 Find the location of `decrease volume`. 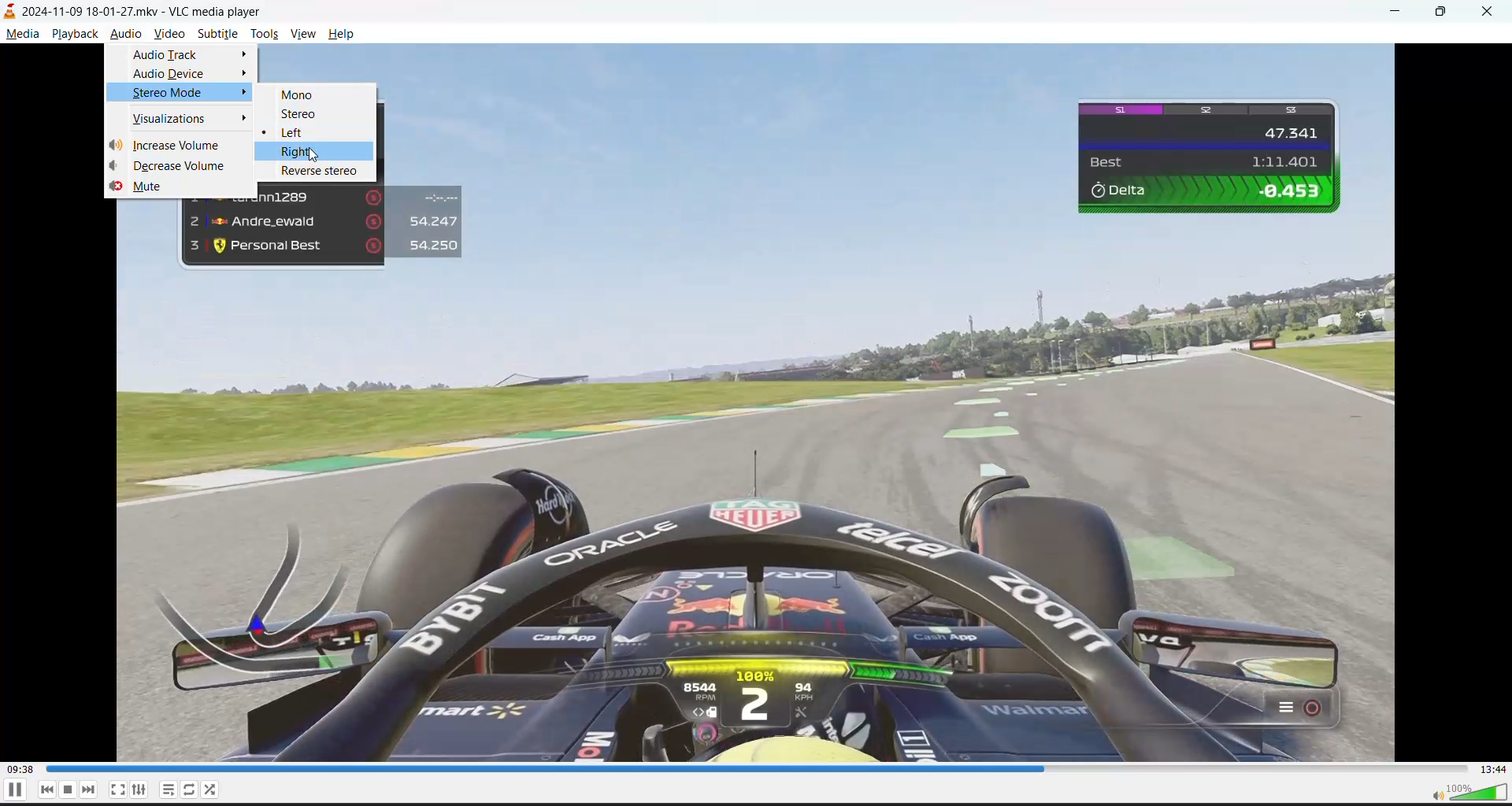

decrease volume is located at coordinates (184, 167).